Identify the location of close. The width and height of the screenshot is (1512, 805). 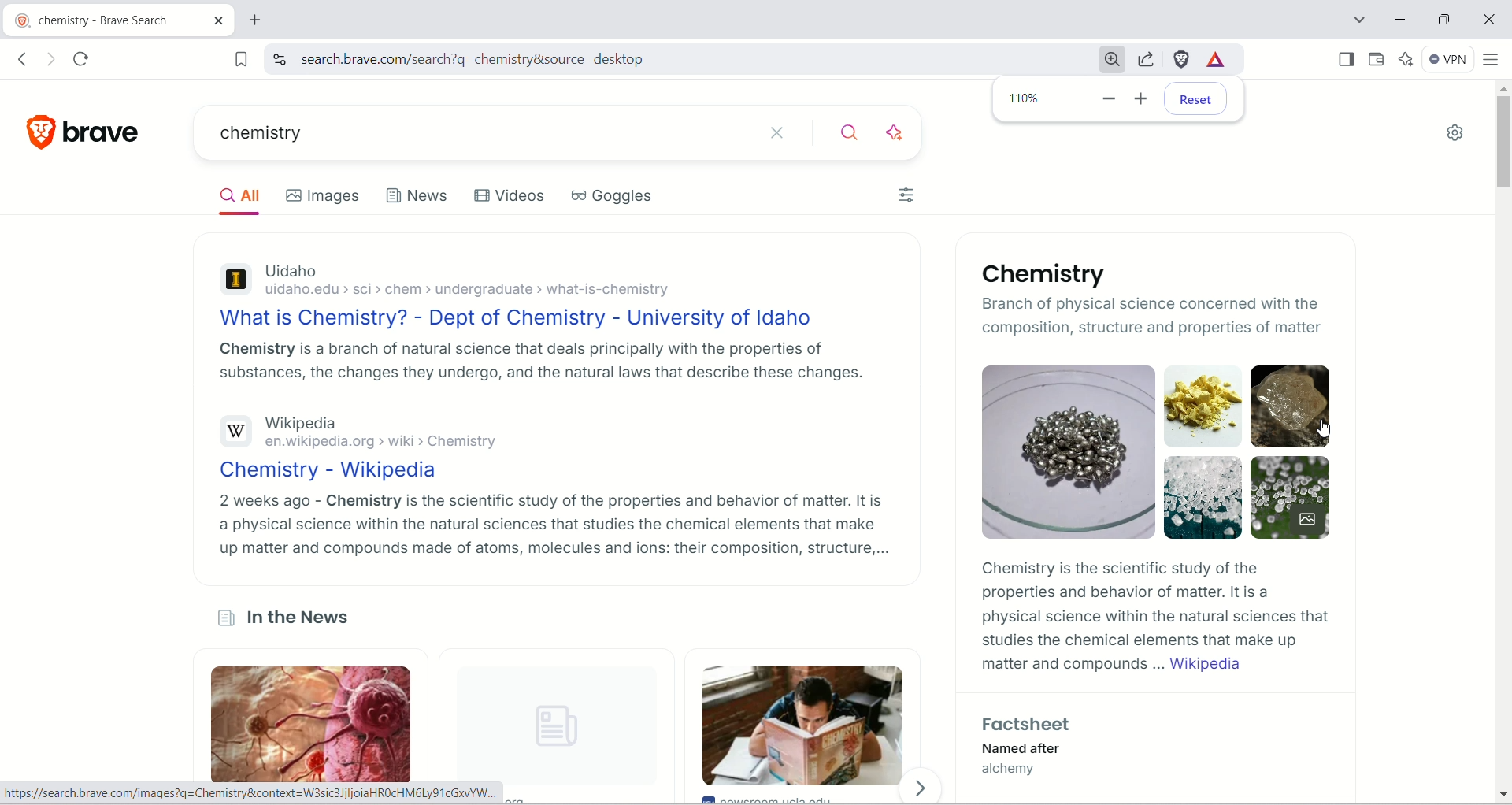
(1492, 20).